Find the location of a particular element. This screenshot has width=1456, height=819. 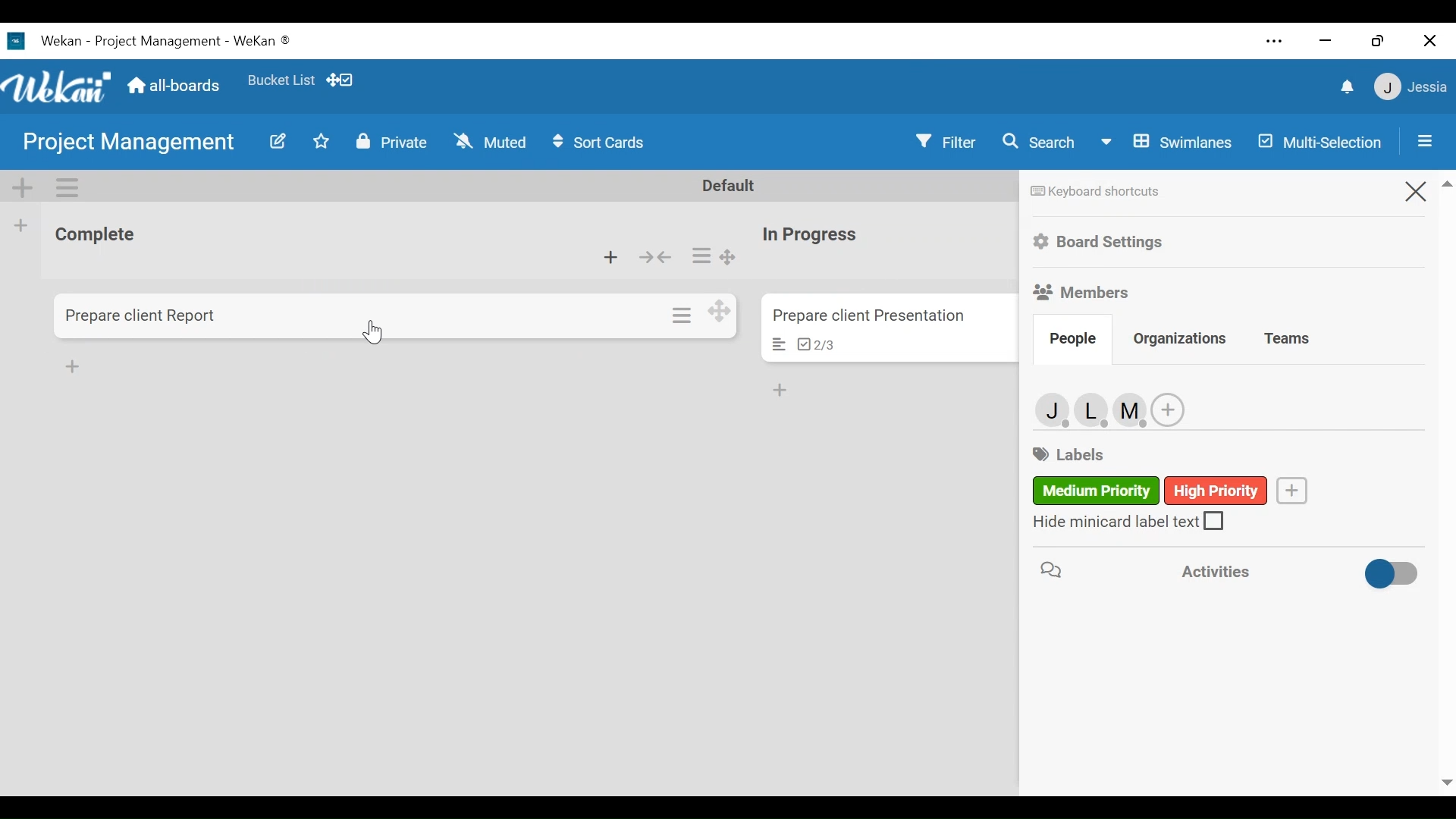

Activities is located at coordinates (1238, 570).